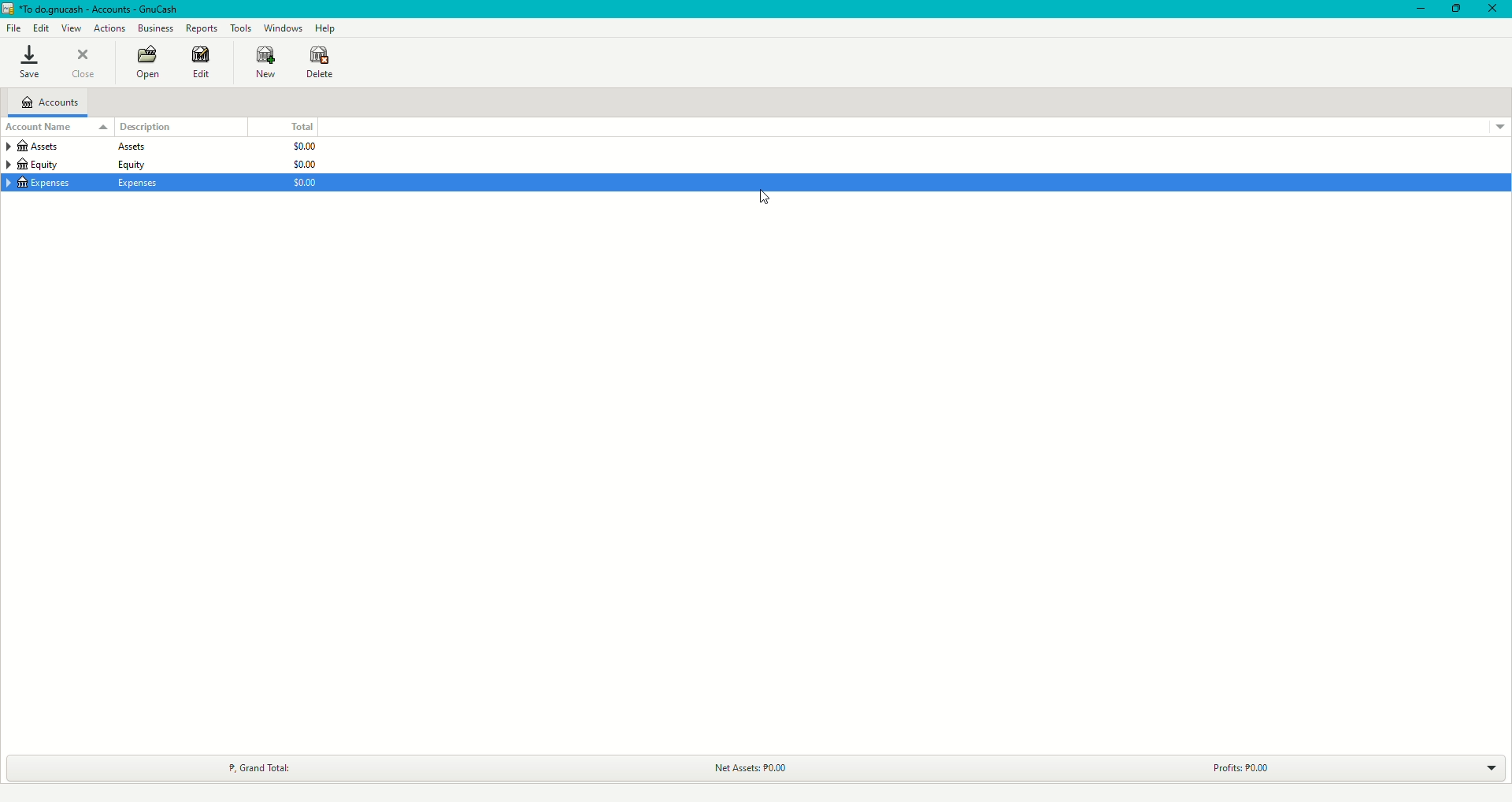  I want to click on Reports, so click(203, 28).